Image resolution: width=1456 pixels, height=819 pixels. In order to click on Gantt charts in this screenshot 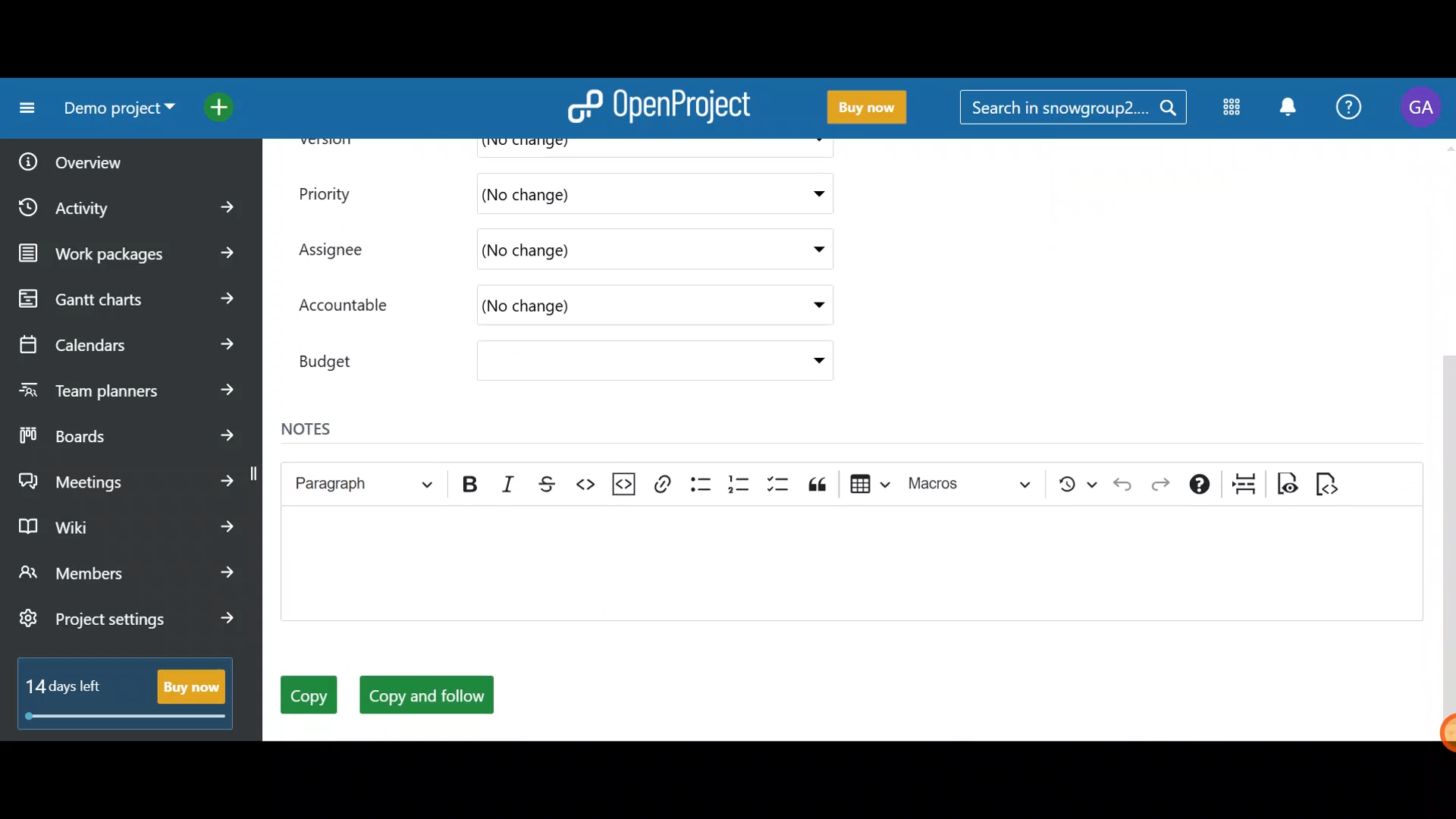, I will do `click(128, 300)`.